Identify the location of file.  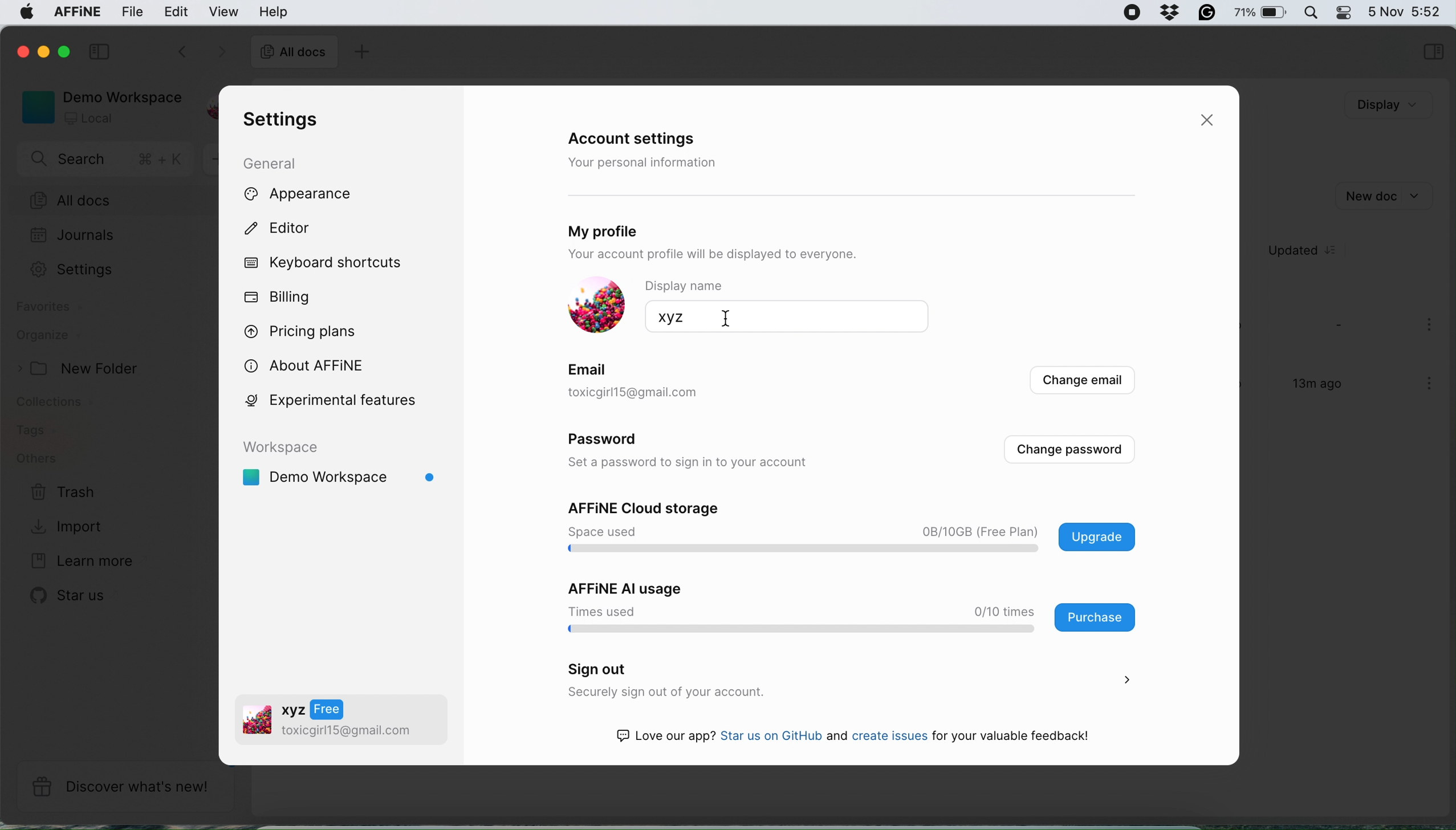
(133, 12).